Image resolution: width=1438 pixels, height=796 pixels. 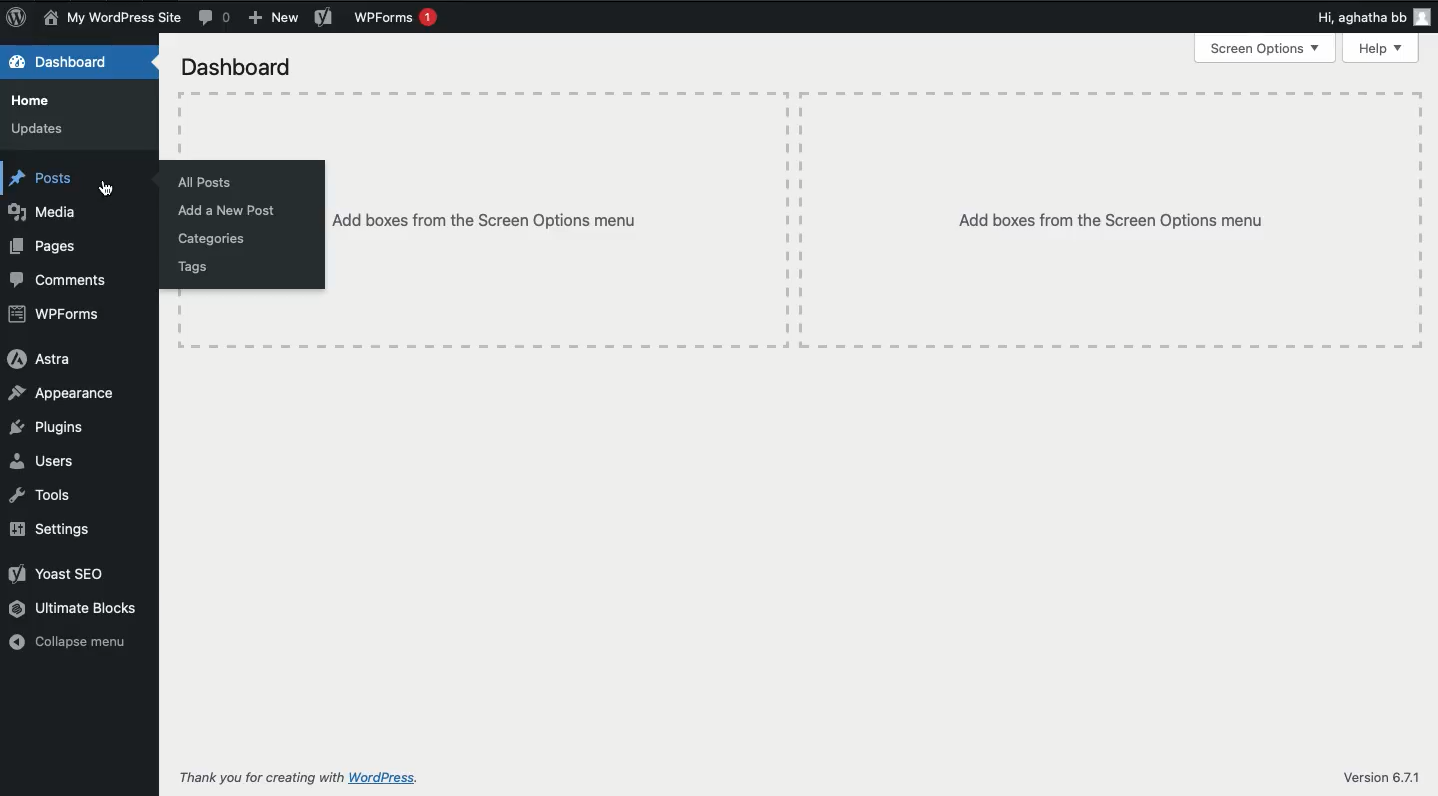 I want to click on WPForms, so click(x=394, y=18).